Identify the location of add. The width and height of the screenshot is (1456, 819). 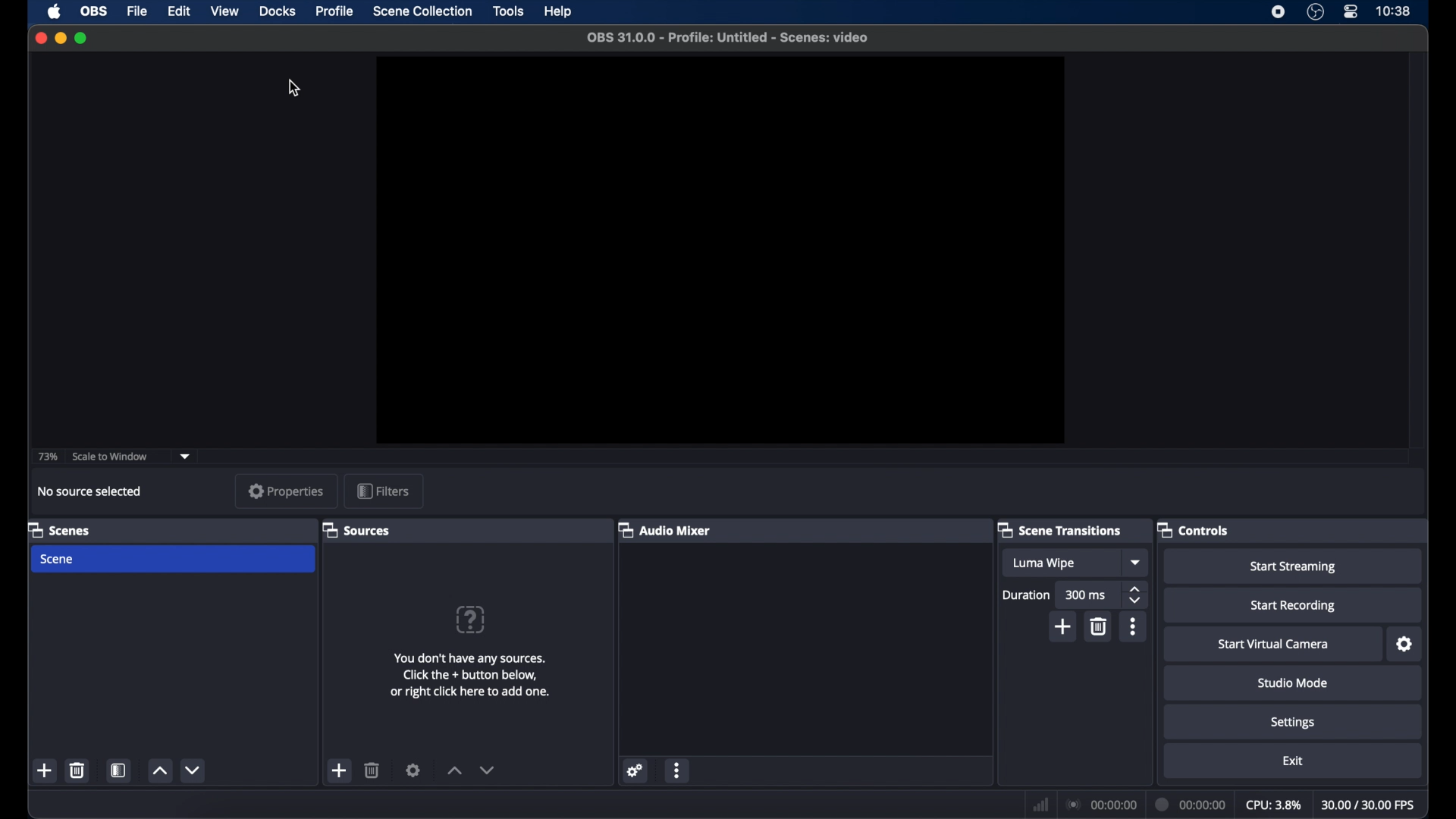
(45, 771).